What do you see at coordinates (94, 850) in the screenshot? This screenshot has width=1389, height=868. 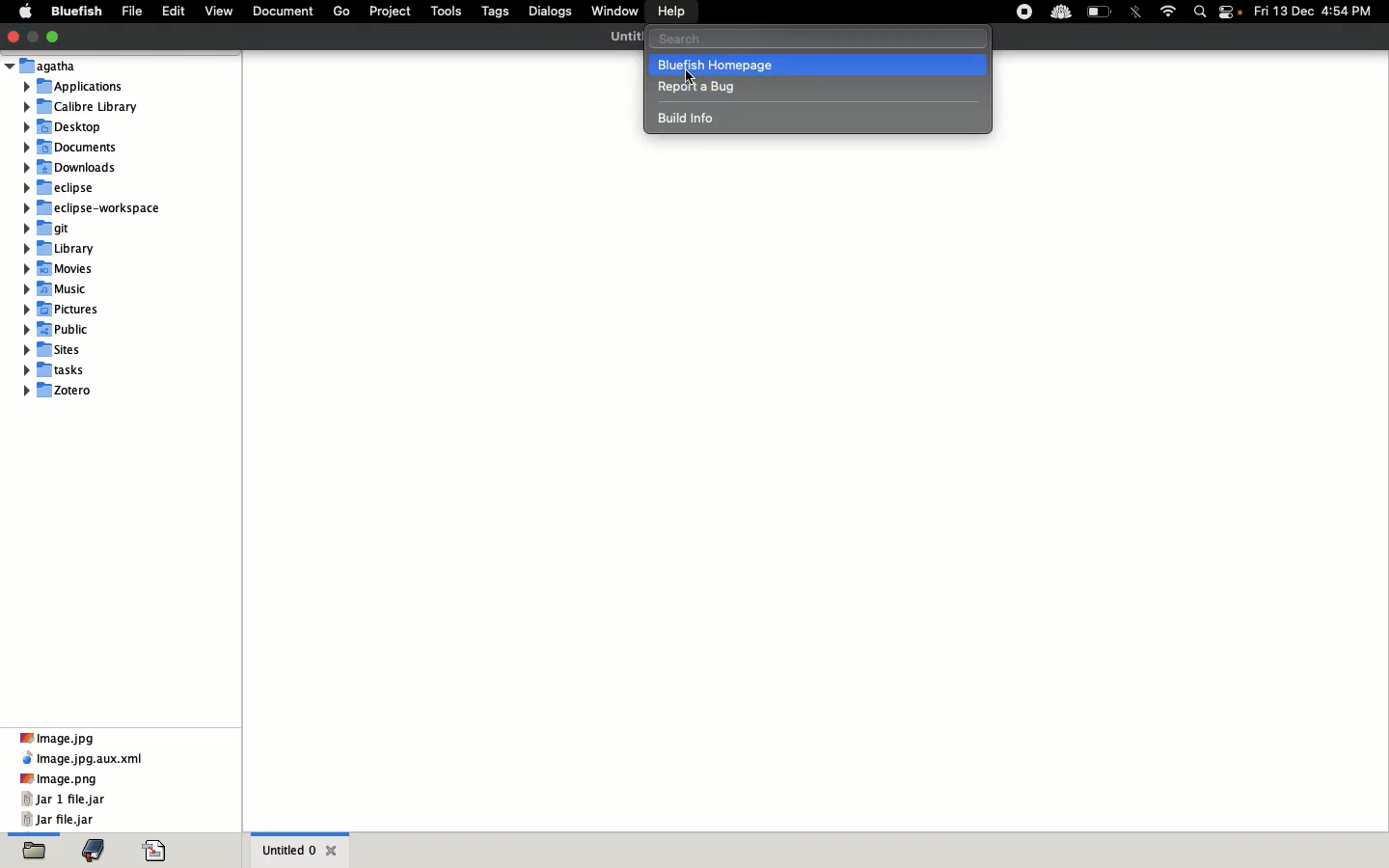 I see `Bookmark` at bounding box center [94, 850].